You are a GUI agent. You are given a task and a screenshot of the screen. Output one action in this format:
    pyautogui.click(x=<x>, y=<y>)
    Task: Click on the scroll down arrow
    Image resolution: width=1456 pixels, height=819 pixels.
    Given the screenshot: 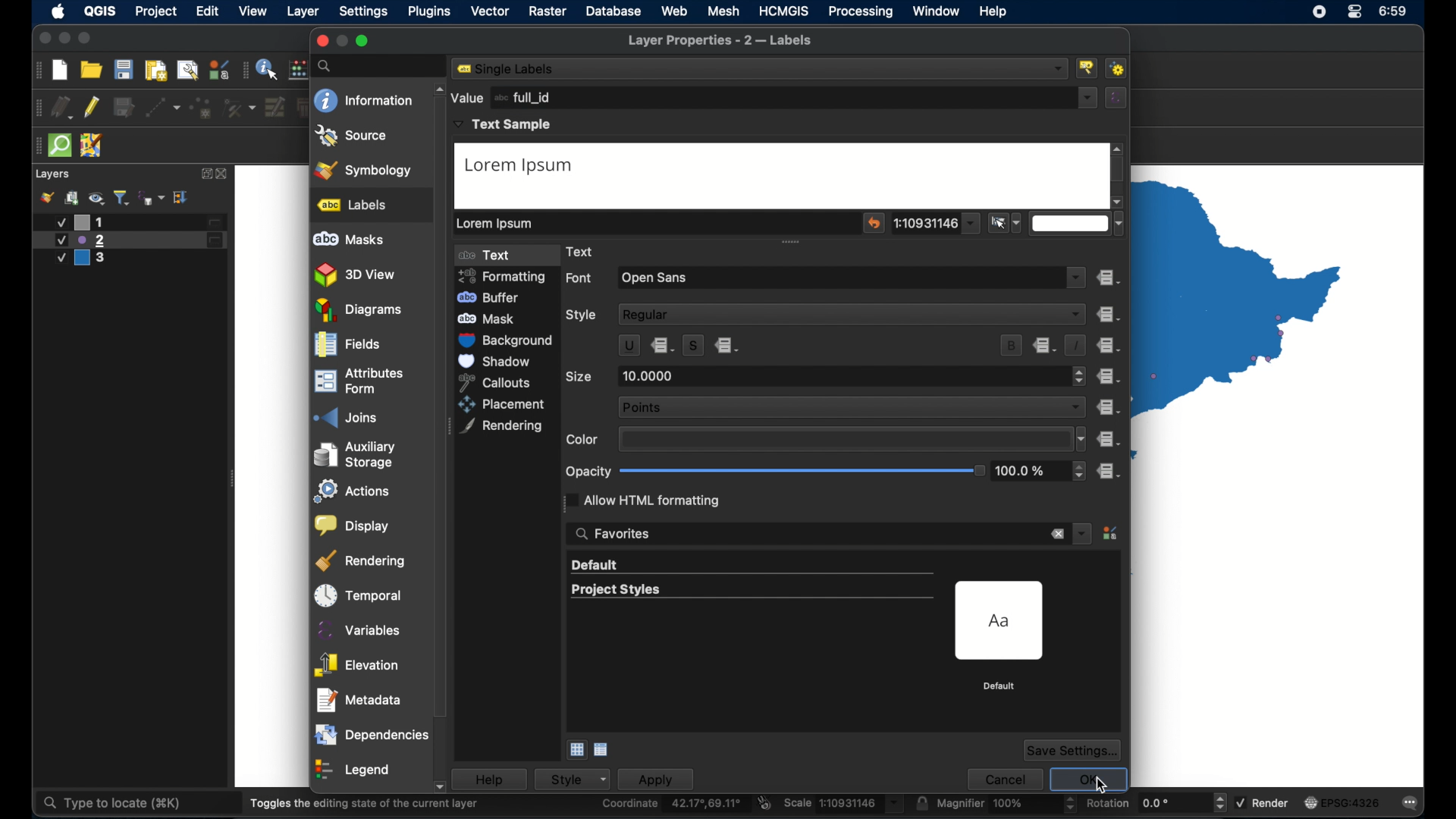 What is the action you would take?
    pyautogui.click(x=1117, y=202)
    